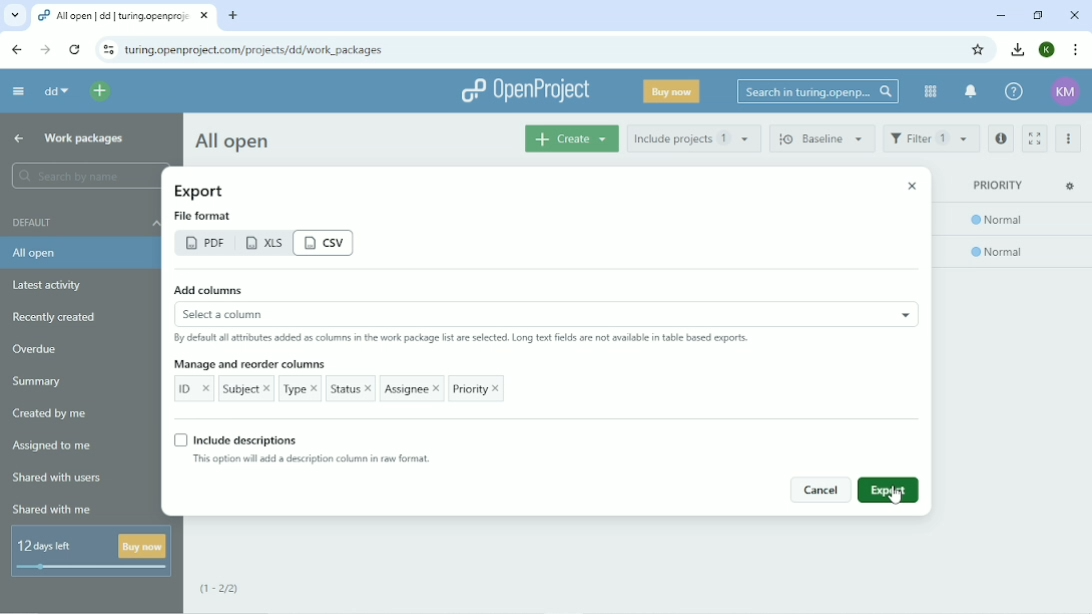  Describe the element at coordinates (821, 138) in the screenshot. I see `Baseline` at that location.